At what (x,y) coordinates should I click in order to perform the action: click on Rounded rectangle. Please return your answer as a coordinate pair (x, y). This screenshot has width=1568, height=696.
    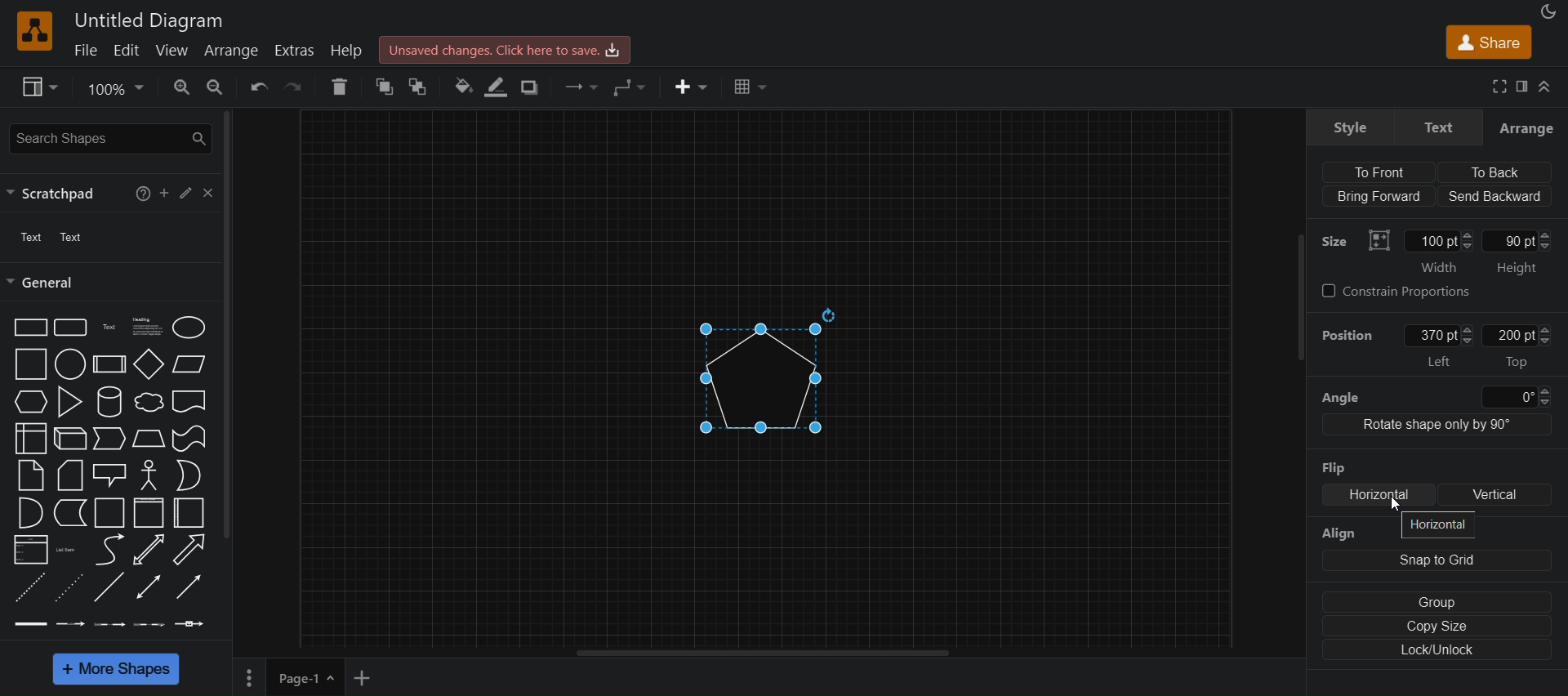
    Looking at the image, I should click on (70, 328).